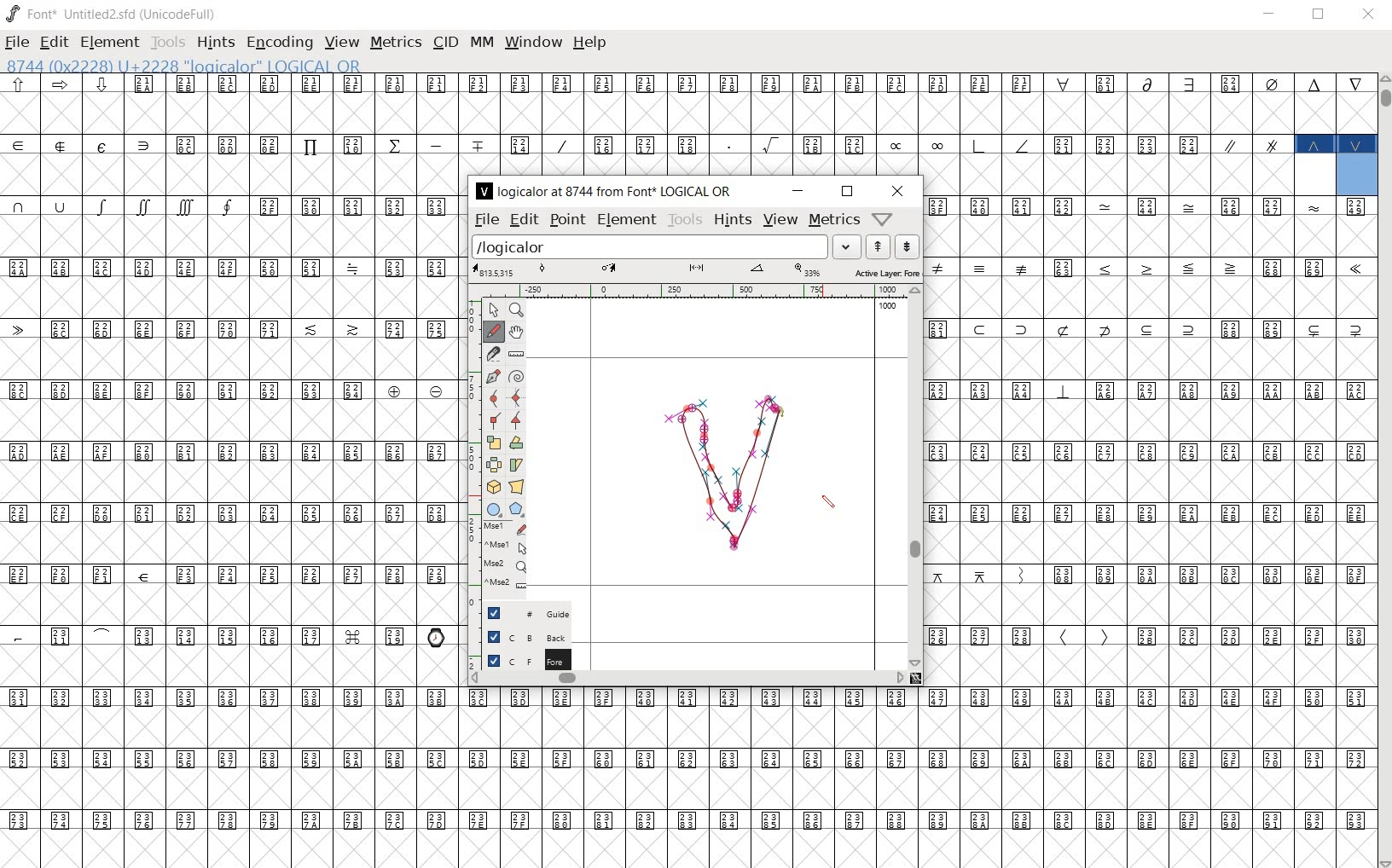  What do you see at coordinates (919, 807) in the screenshot?
I see `glyph characters` at bounding box center [919, 807].